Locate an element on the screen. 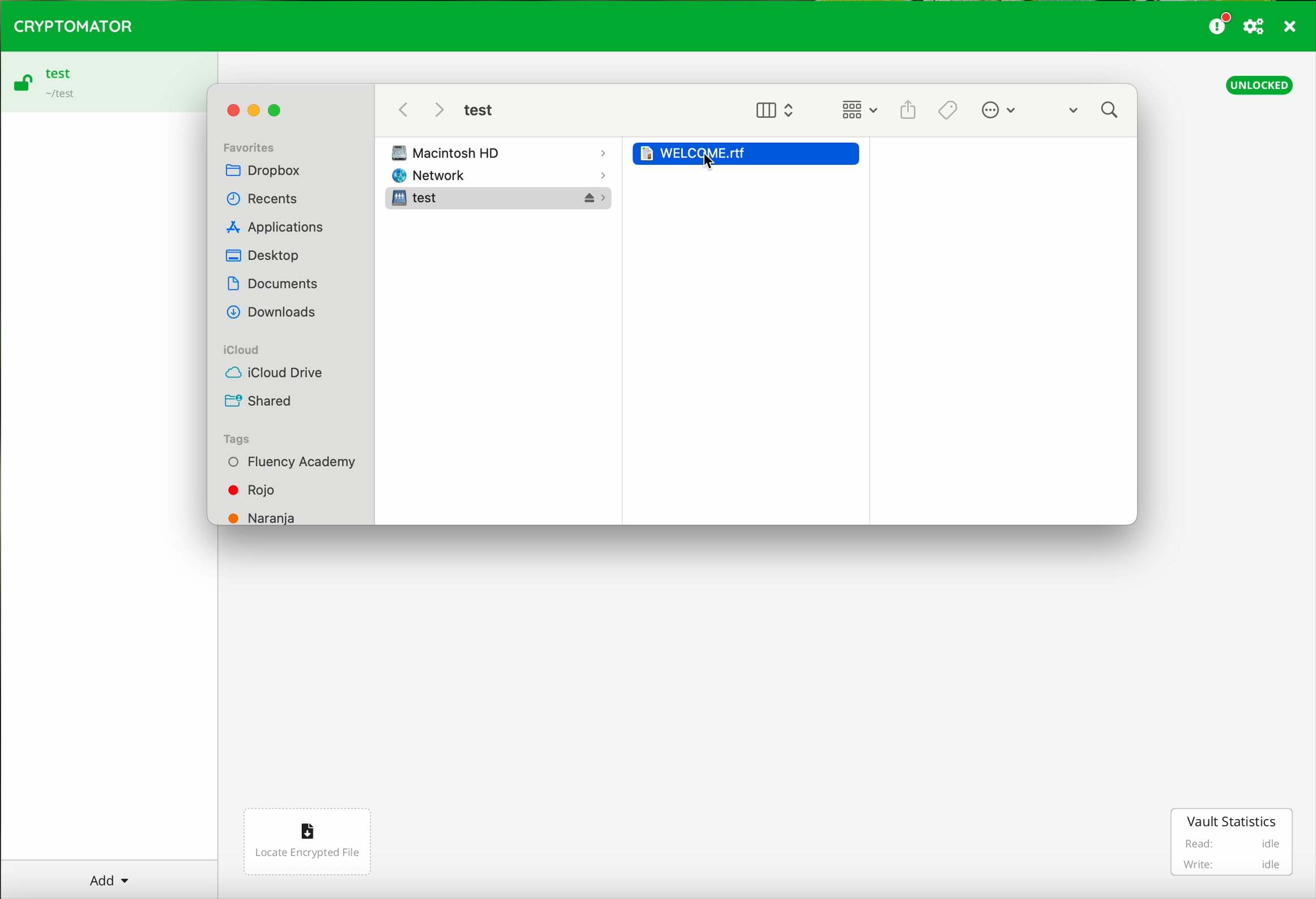  open padlock is located at coordinates (22, 85).